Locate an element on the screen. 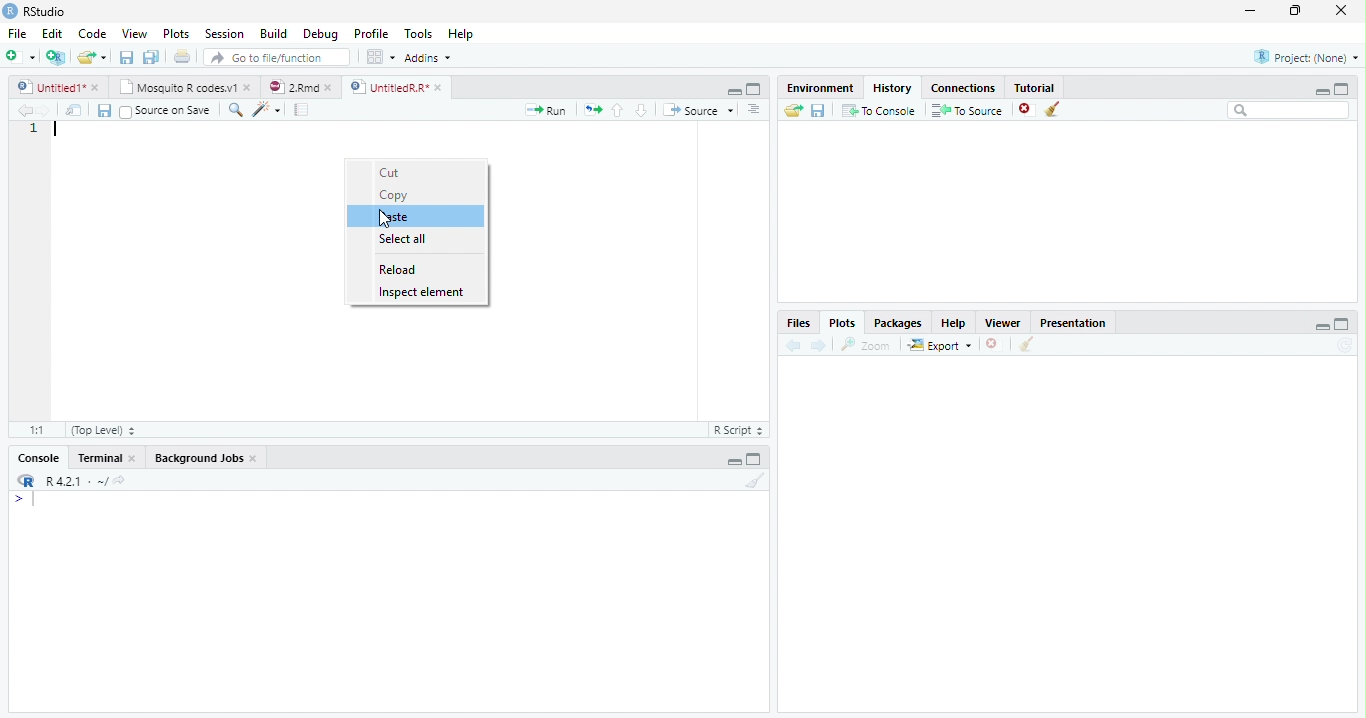  Session is located at coordinates (226, 34).